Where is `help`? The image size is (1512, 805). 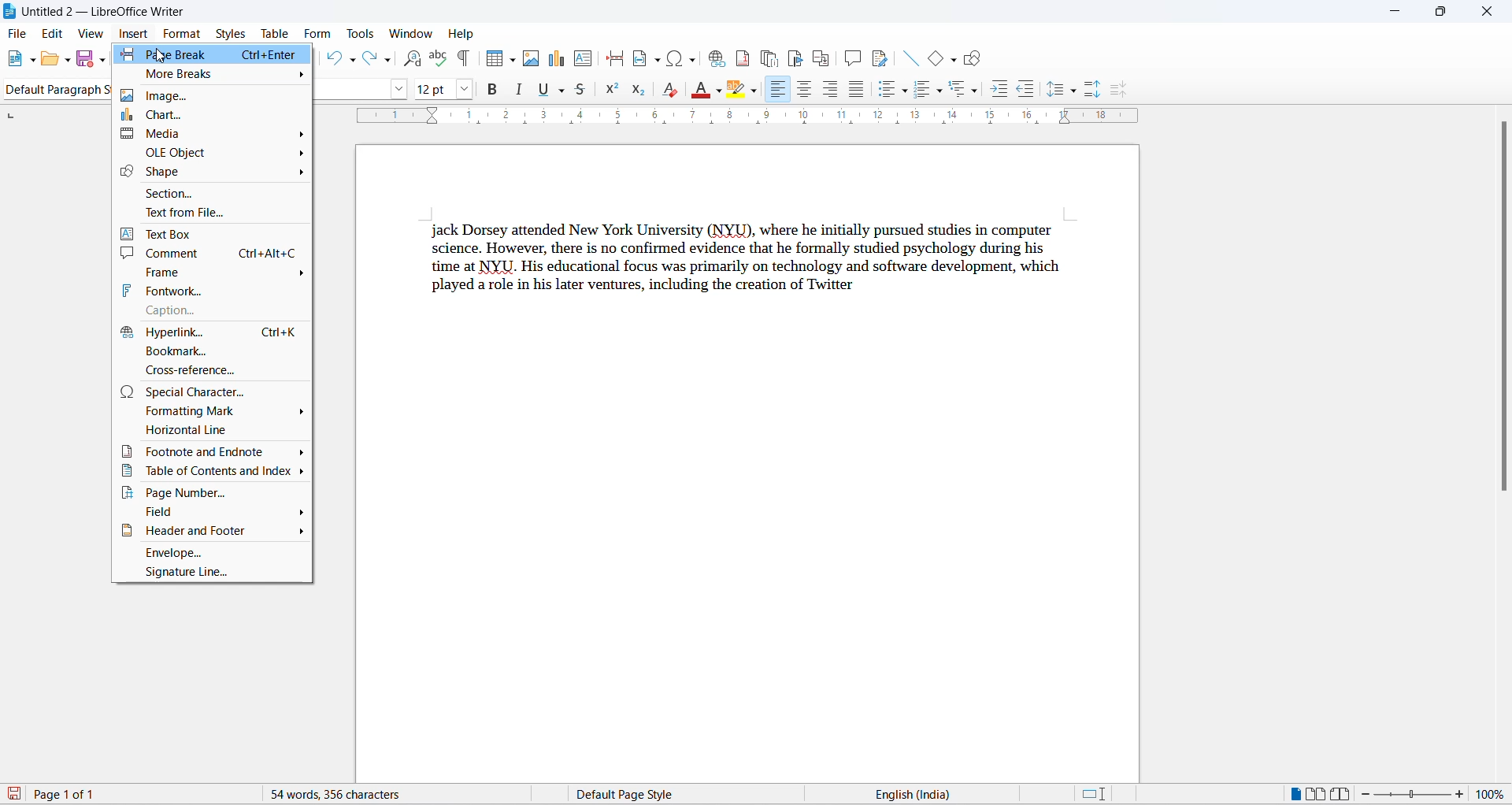 help is located at coordinates (460, 34).